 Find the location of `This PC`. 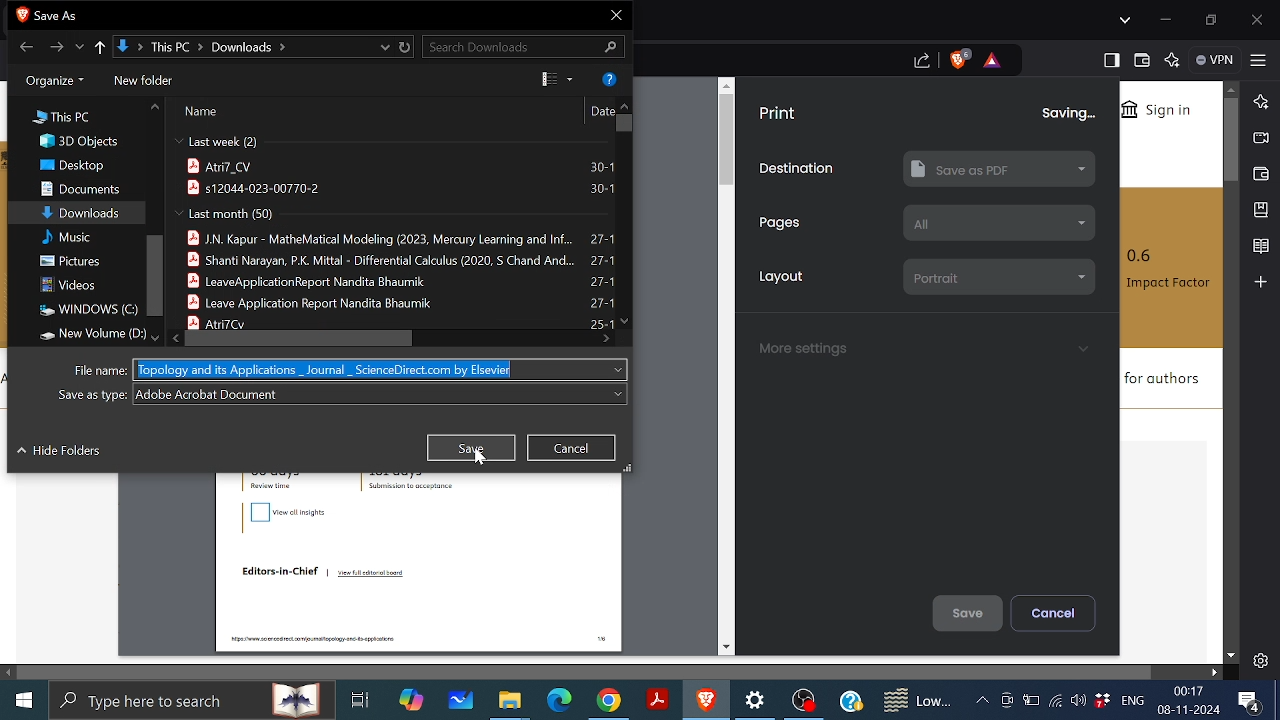

This PC is located at coordinates (63, 117).